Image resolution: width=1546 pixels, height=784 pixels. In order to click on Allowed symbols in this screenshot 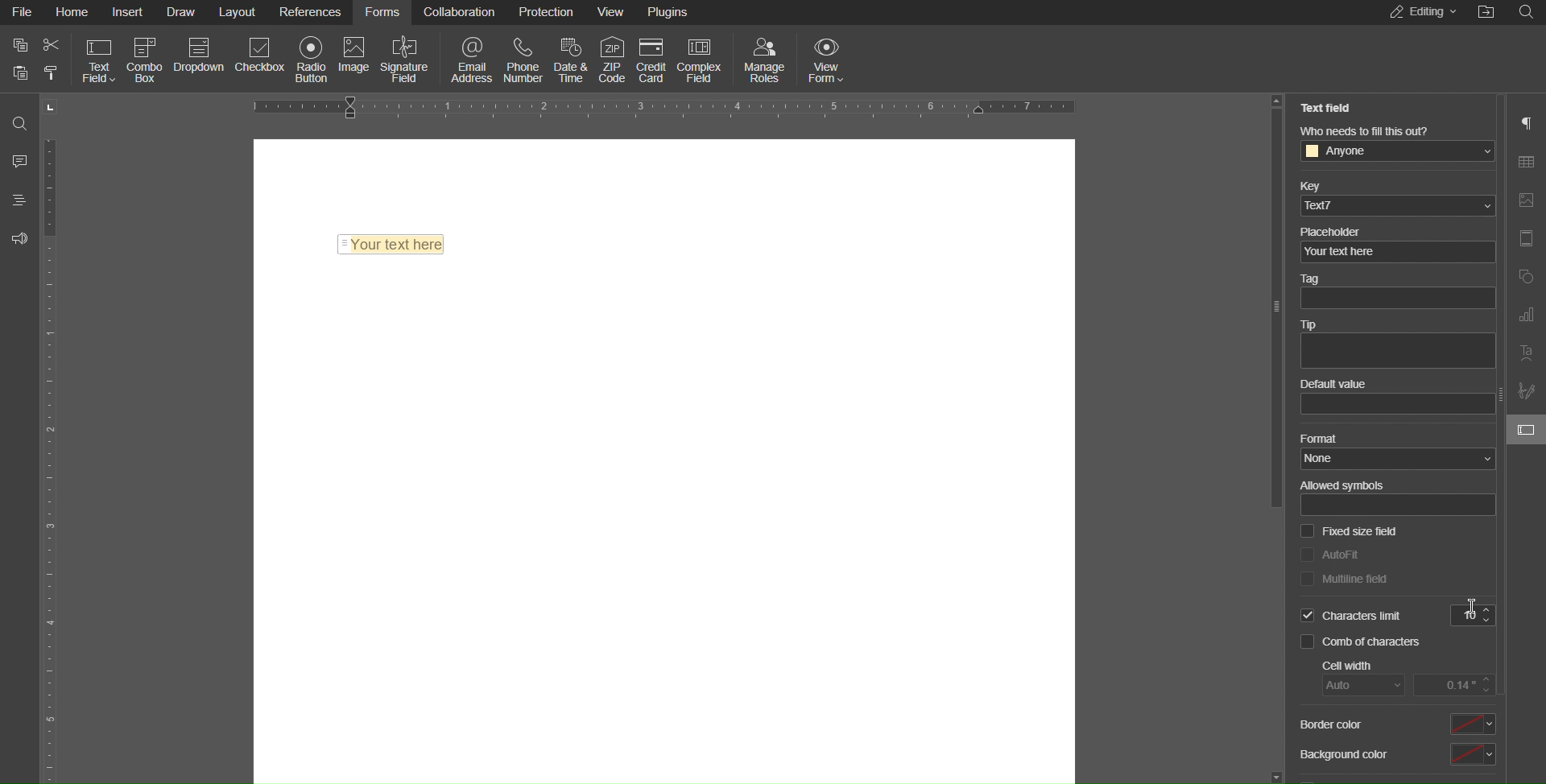, I will do `click(1395, 497)`.